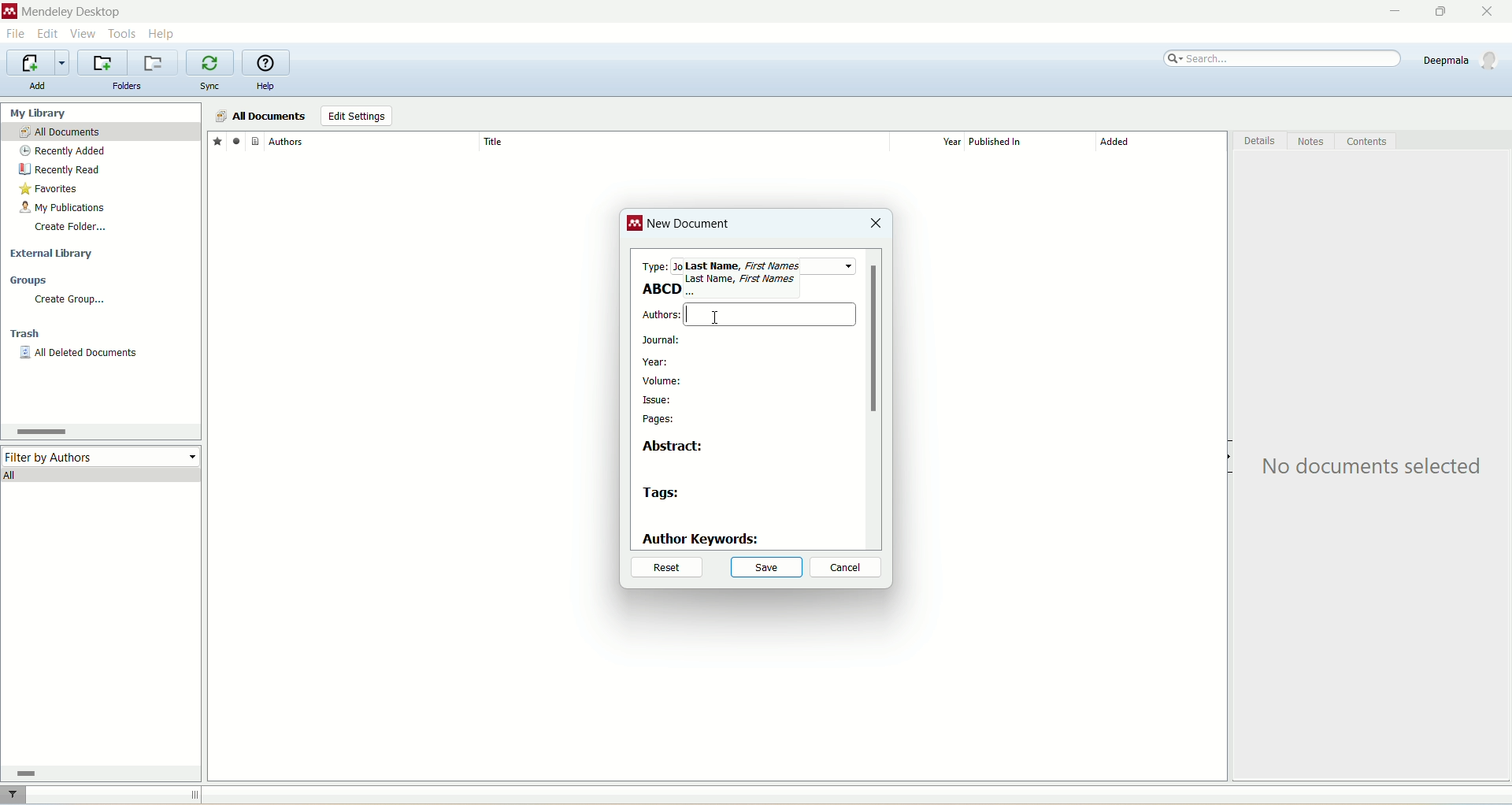 The width and height of the screenshot is (1512, 805). Describe the element at coordinates (69, 299) in the screenshot. I see `create group` at that location.